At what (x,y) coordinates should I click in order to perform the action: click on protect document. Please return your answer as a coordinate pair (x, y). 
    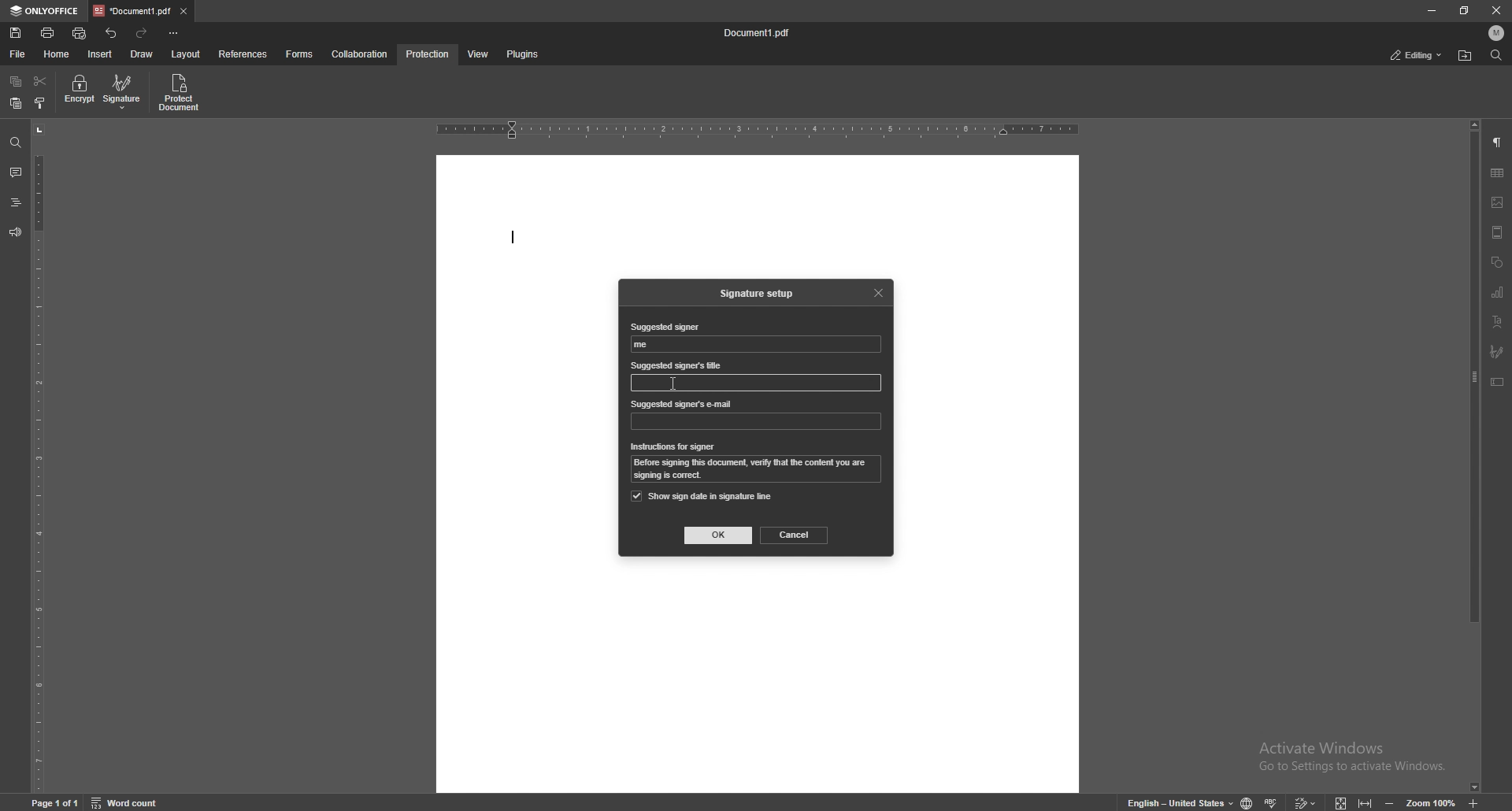
    Looking at the image, I should click on (181, 92).